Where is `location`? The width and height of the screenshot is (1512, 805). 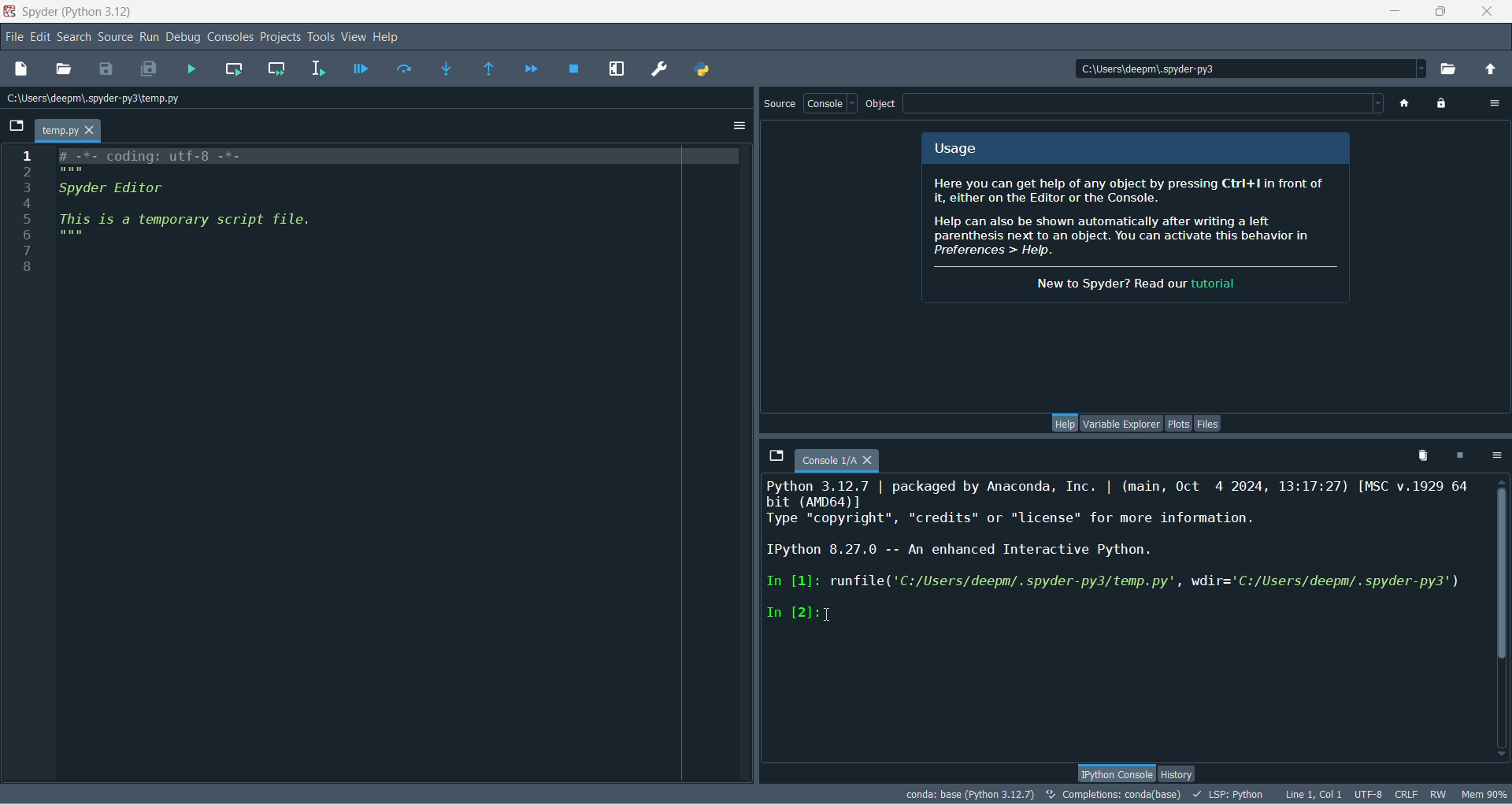 location is located at coordinates (1240, 67).